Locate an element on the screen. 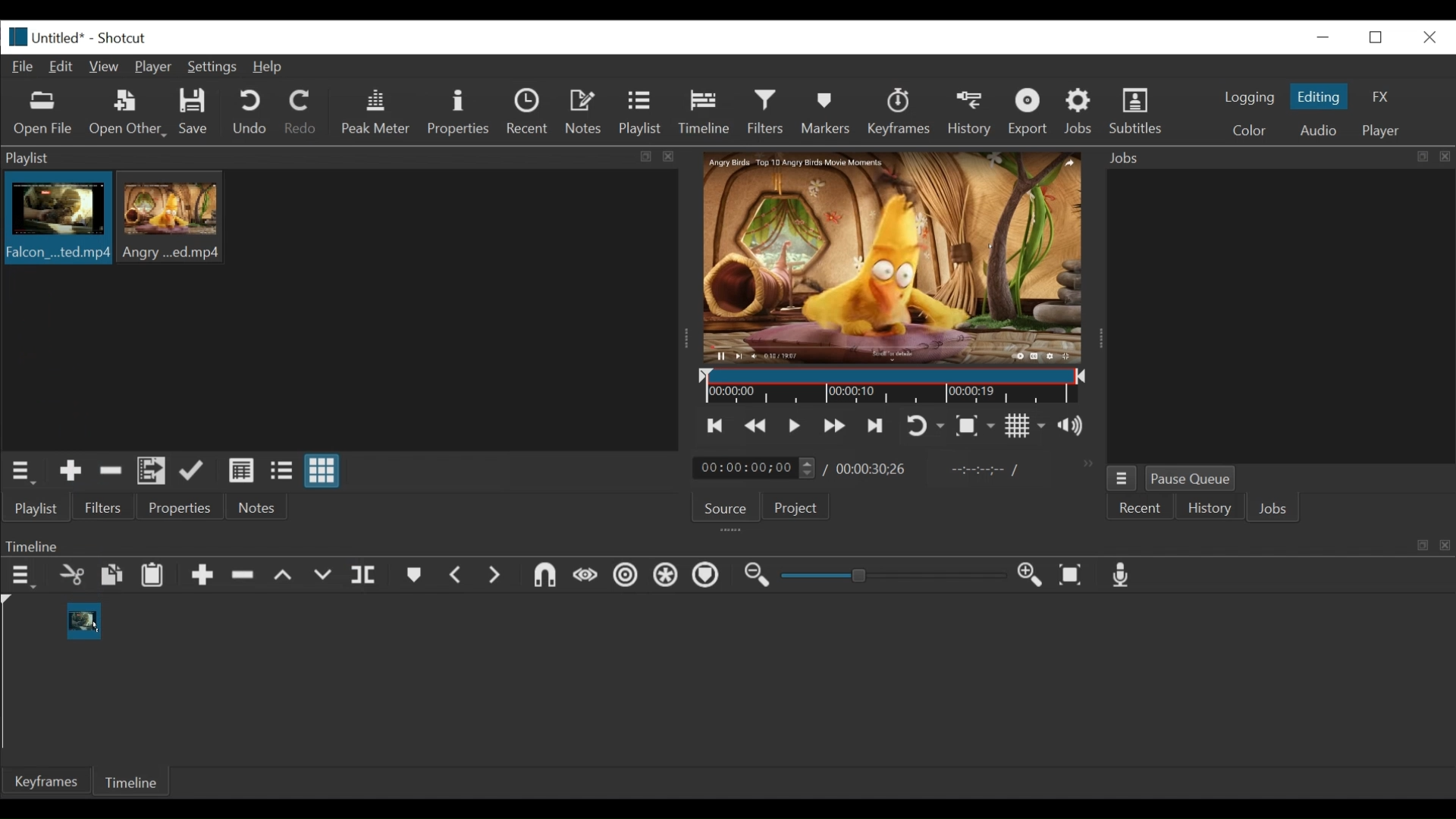  cut is located at coordinates (71, 576).